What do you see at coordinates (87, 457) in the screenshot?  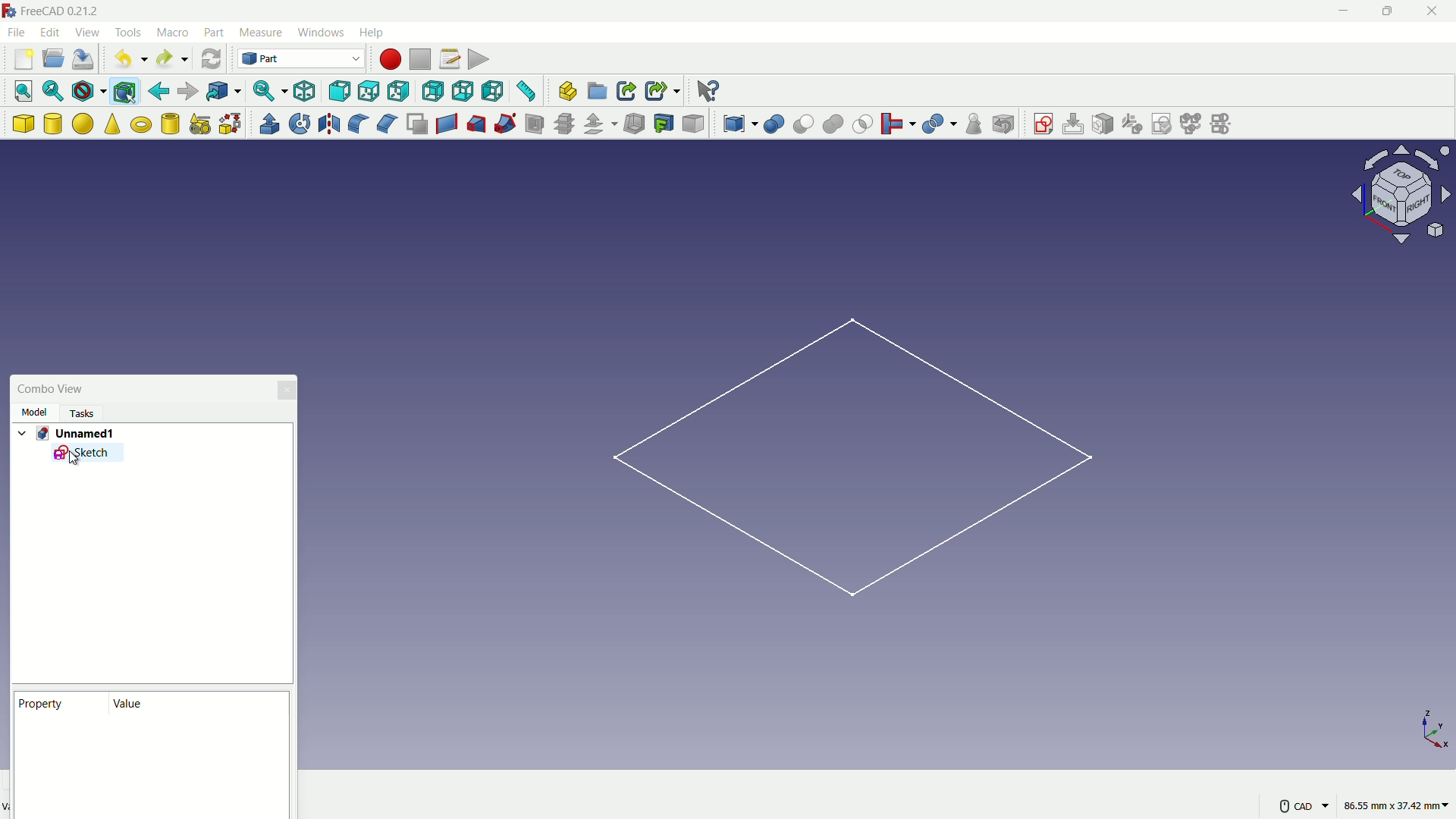 I see `sketch` at bounding box center [87, 457].